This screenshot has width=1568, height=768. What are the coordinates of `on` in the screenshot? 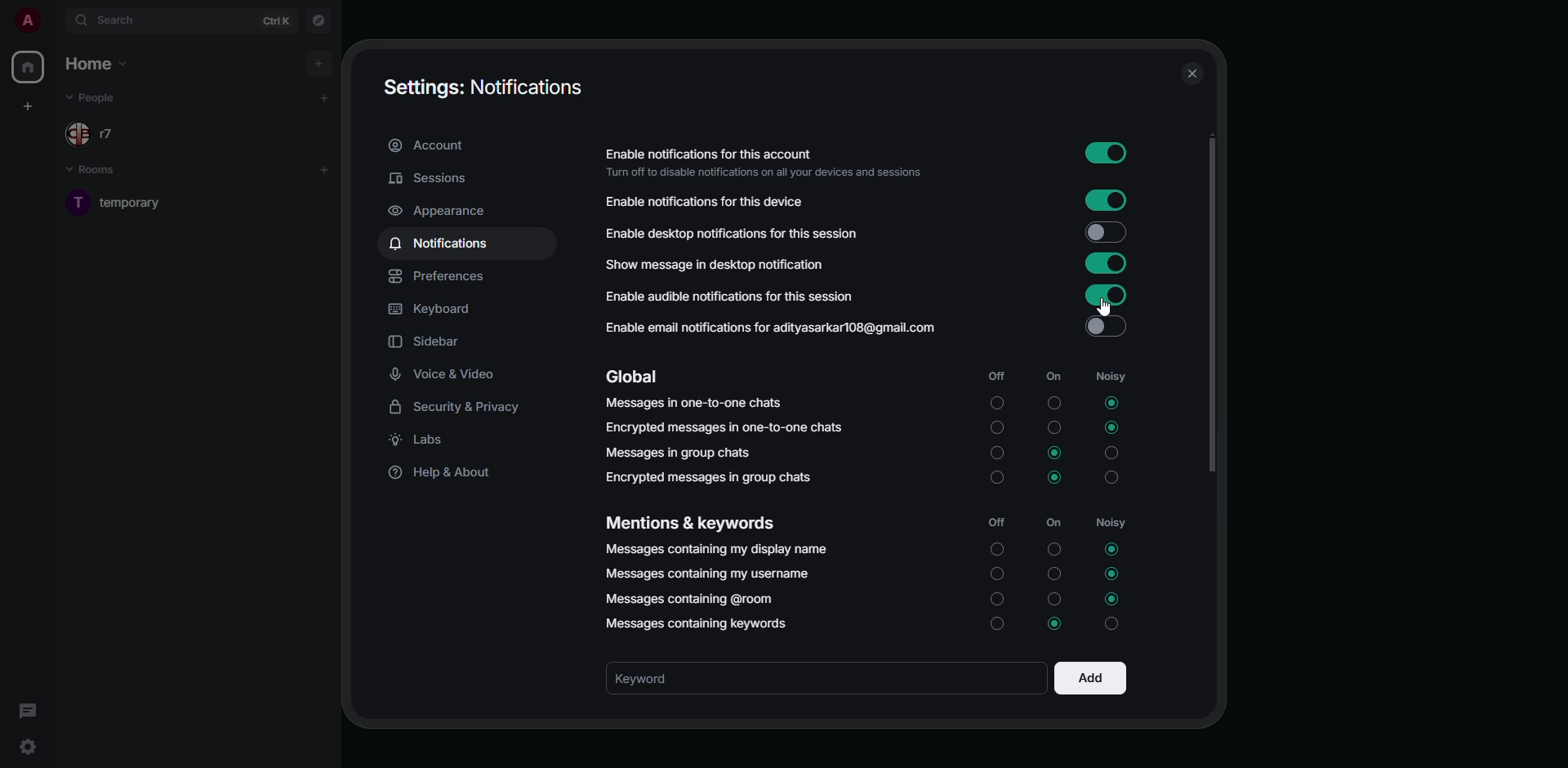 It's located at (1053, 546).